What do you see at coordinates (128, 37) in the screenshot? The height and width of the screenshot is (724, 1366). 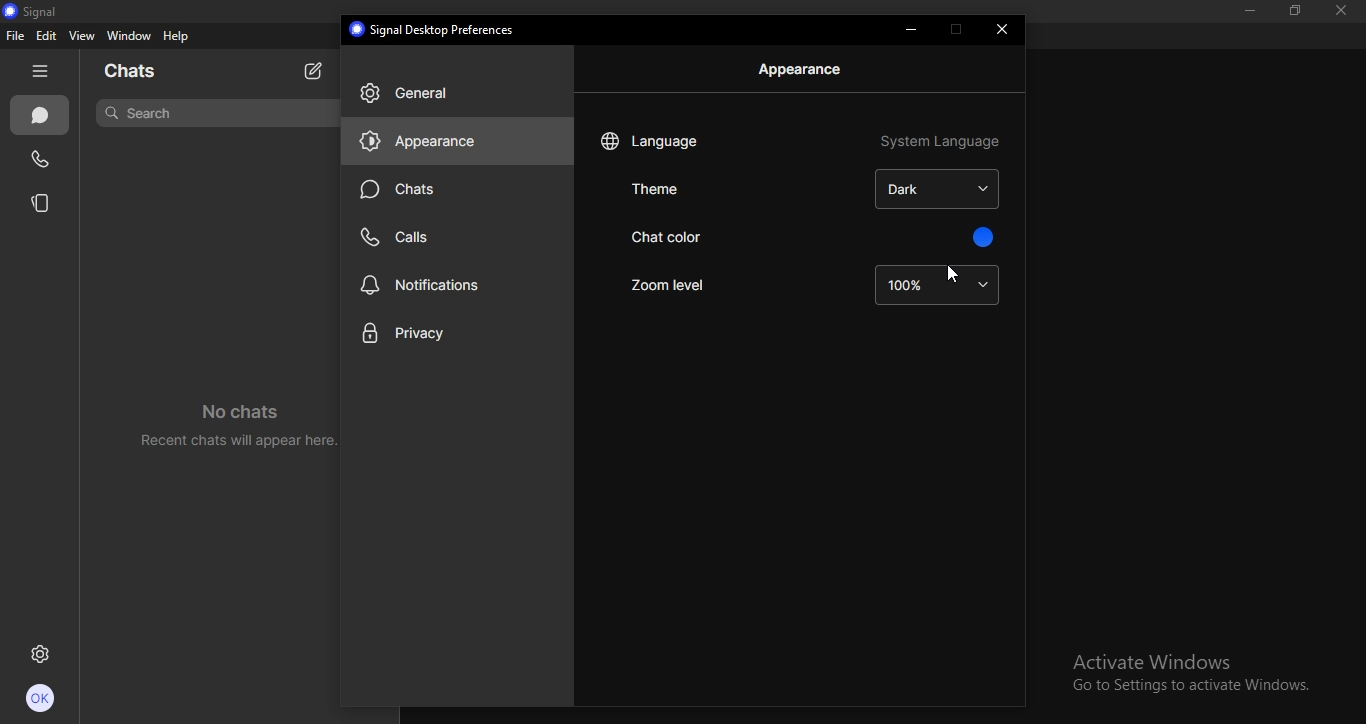 I see `window` at bounding box center [128, 37].